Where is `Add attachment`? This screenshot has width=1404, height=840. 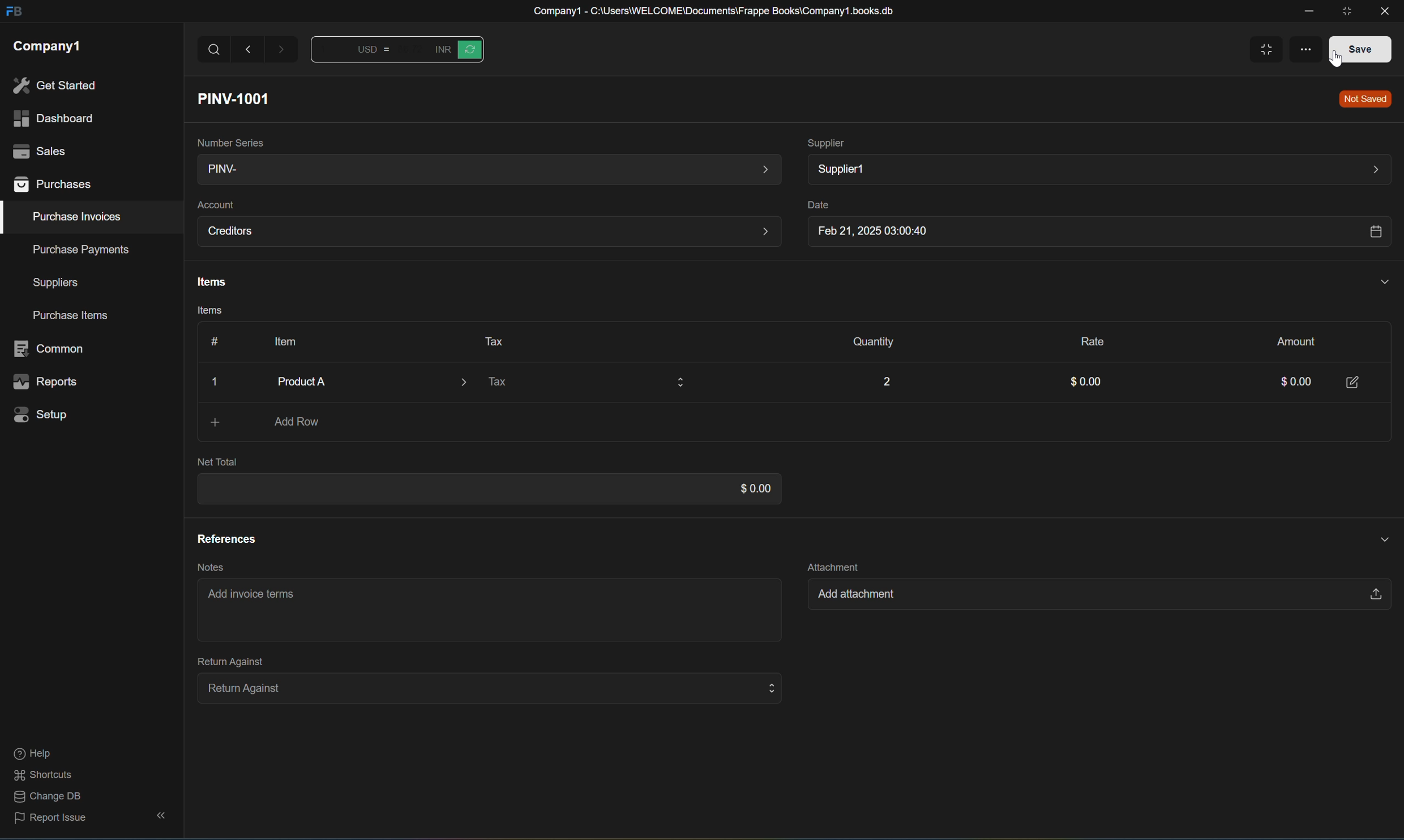 Add attachment is located at coordinates (1091, 597).